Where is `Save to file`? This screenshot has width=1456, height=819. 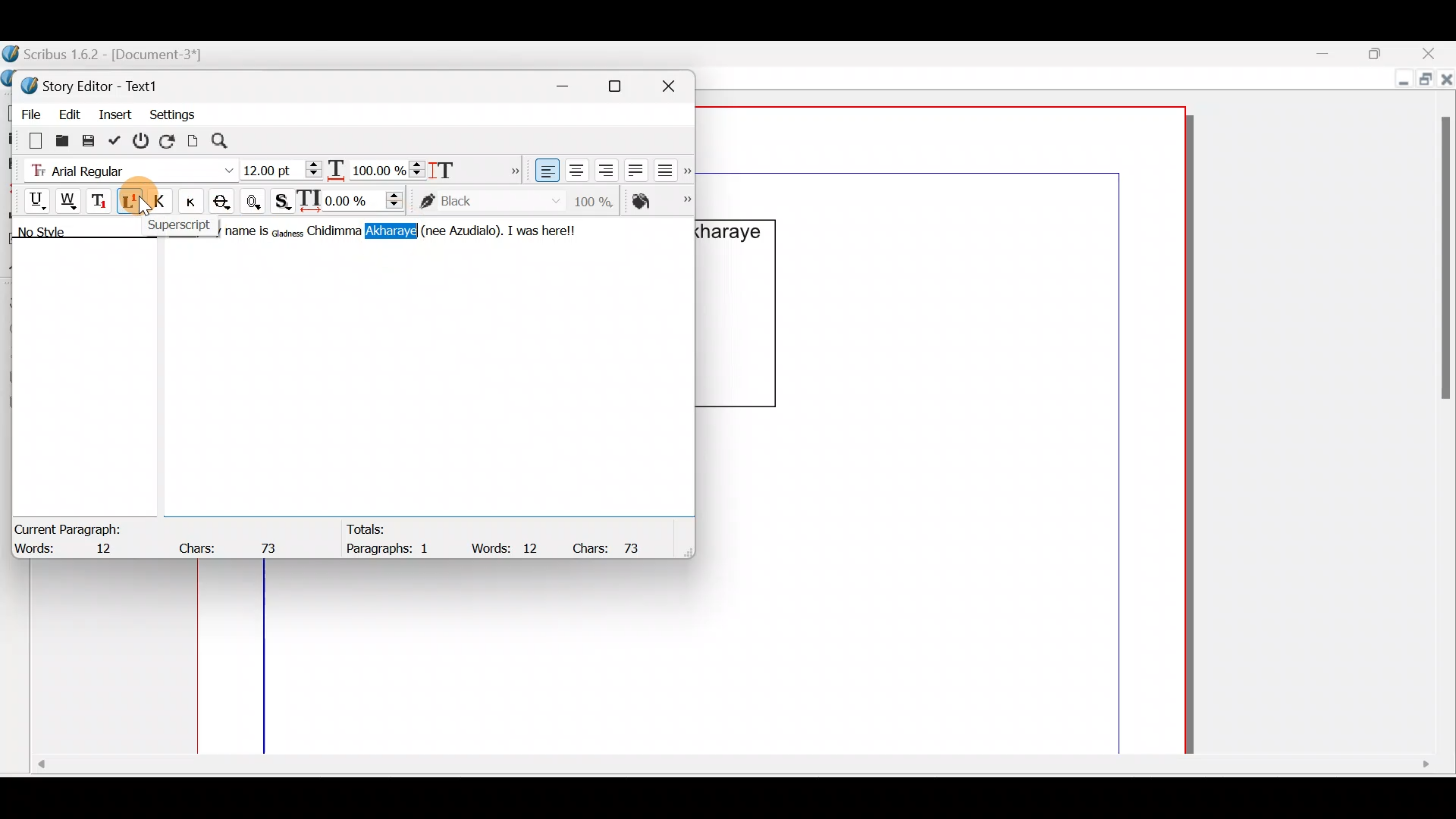 Save to file is located at coordinates (89, 140).